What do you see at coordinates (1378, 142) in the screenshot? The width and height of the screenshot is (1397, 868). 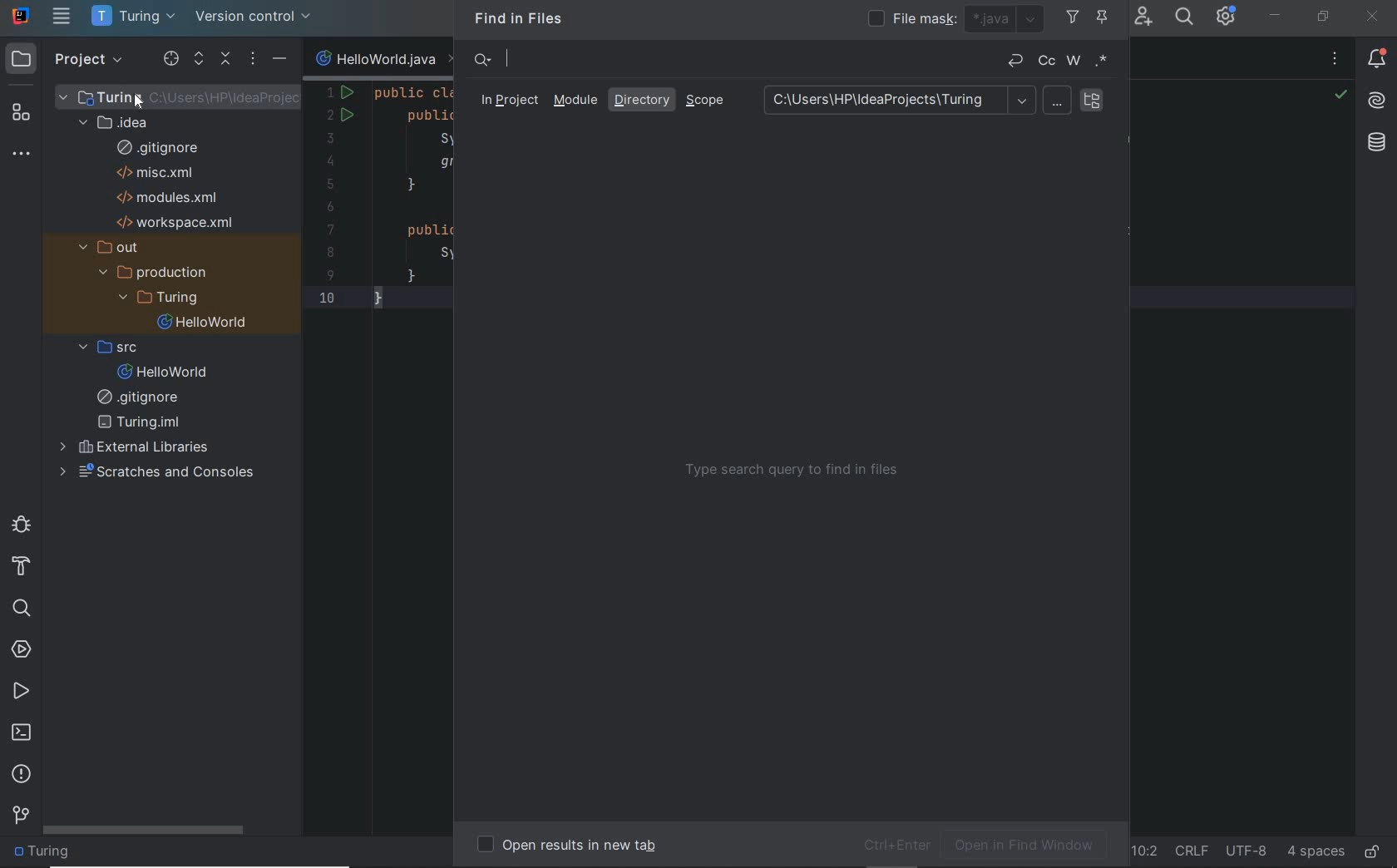 I see `Database` at bounding box center [1378, 142].